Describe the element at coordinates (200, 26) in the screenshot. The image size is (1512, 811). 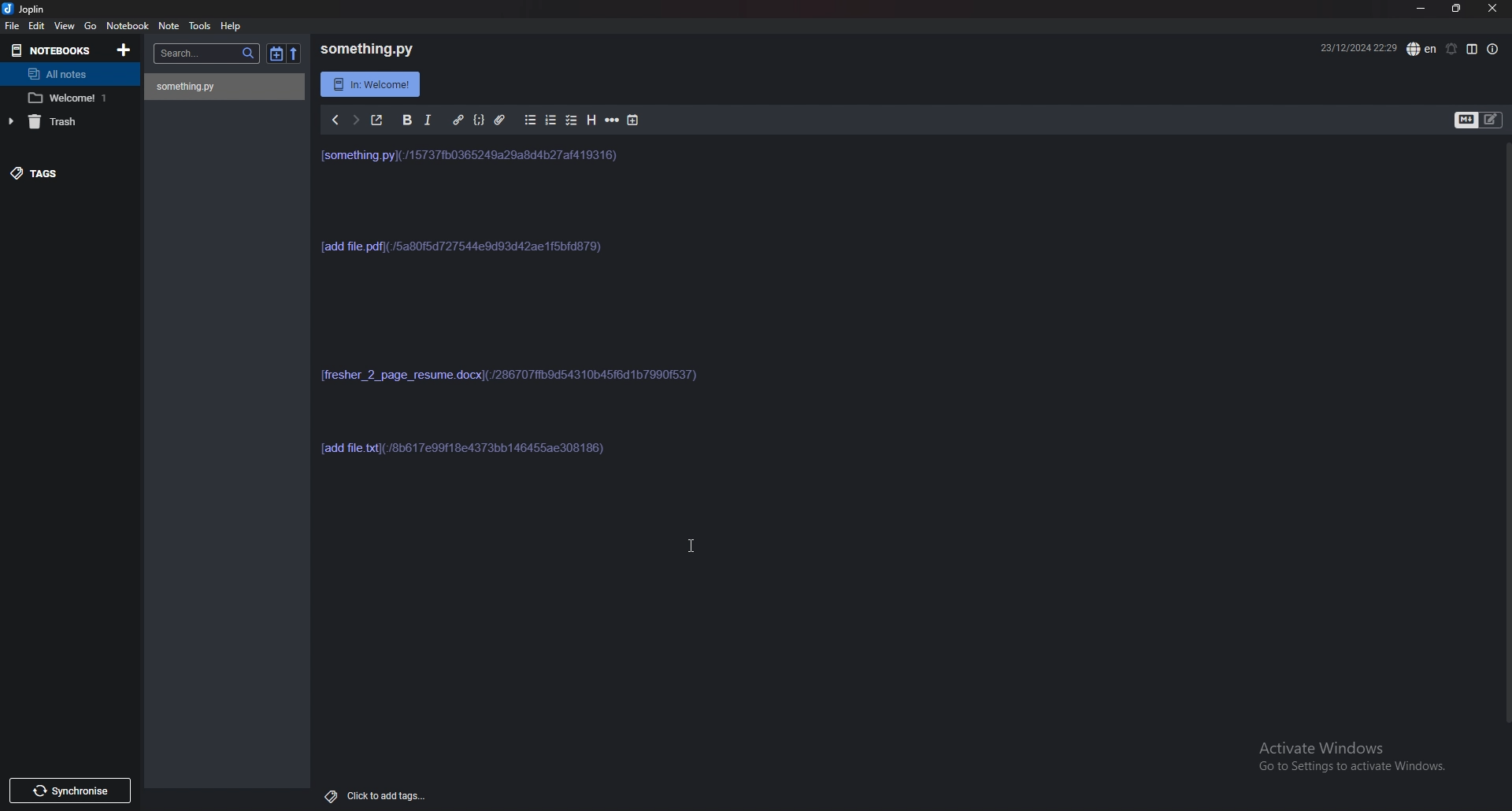
I see `Tools` at that location.